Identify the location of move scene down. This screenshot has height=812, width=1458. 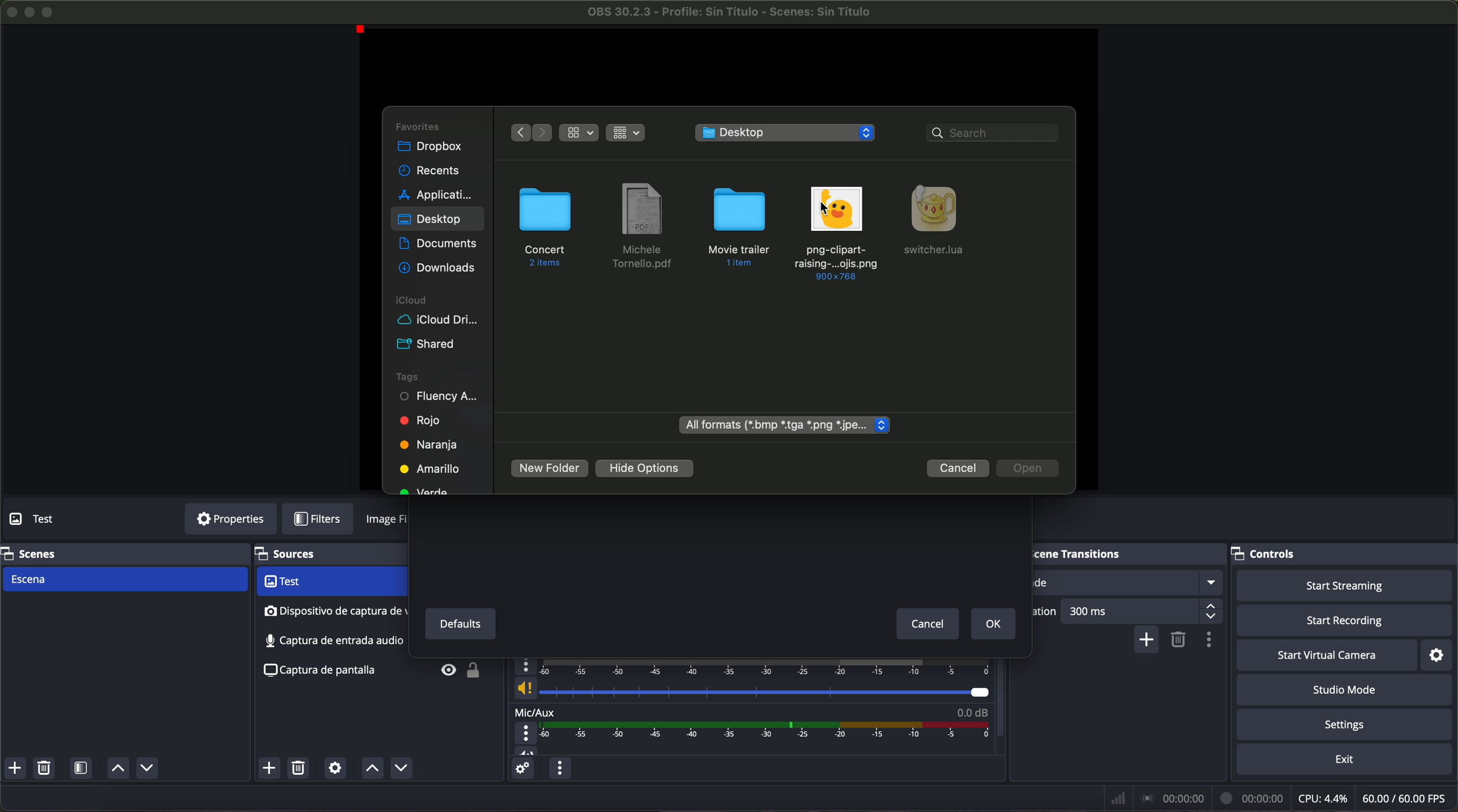
(147, 770).